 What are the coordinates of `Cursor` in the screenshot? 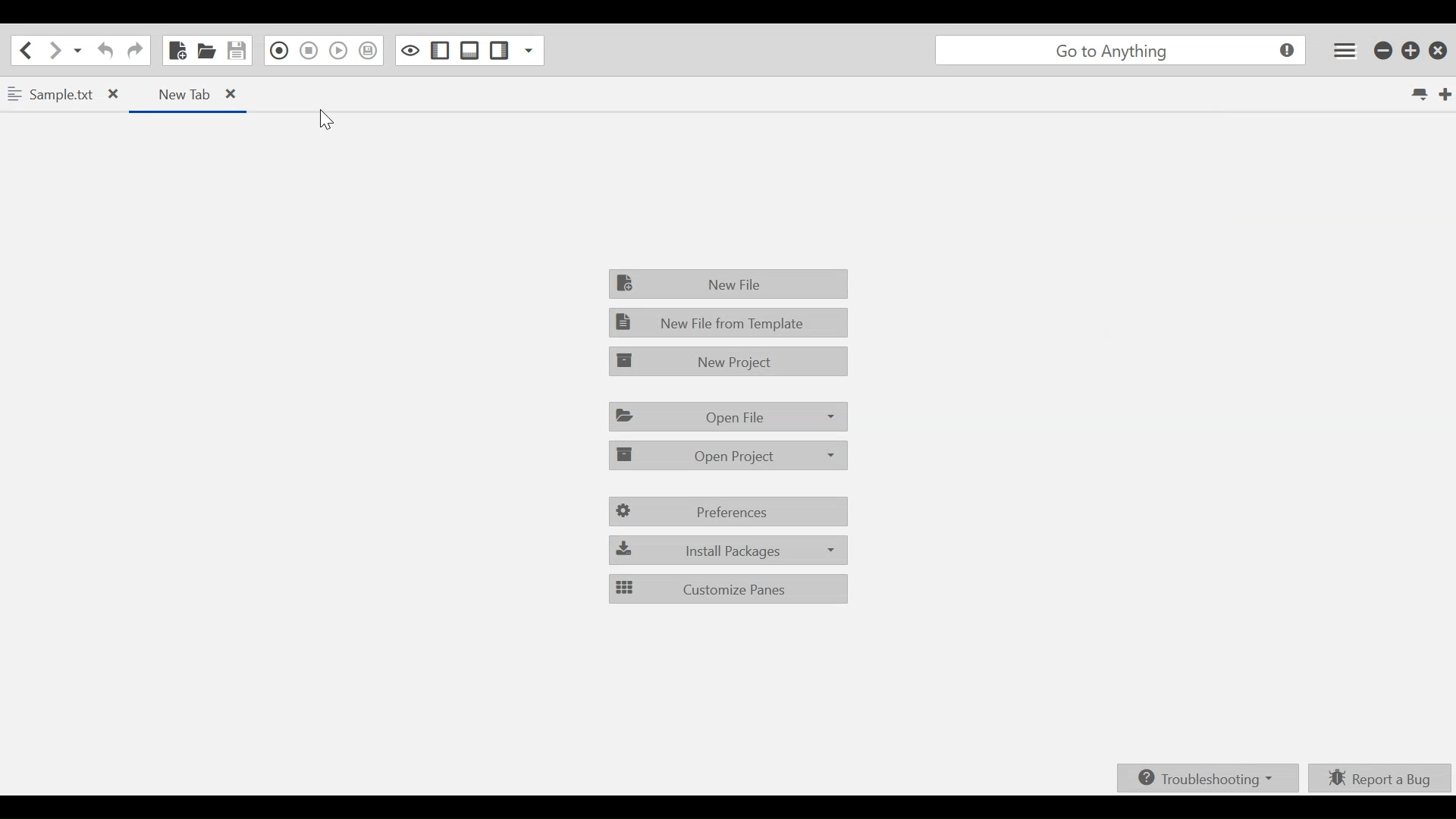 It's located at (325, 120).